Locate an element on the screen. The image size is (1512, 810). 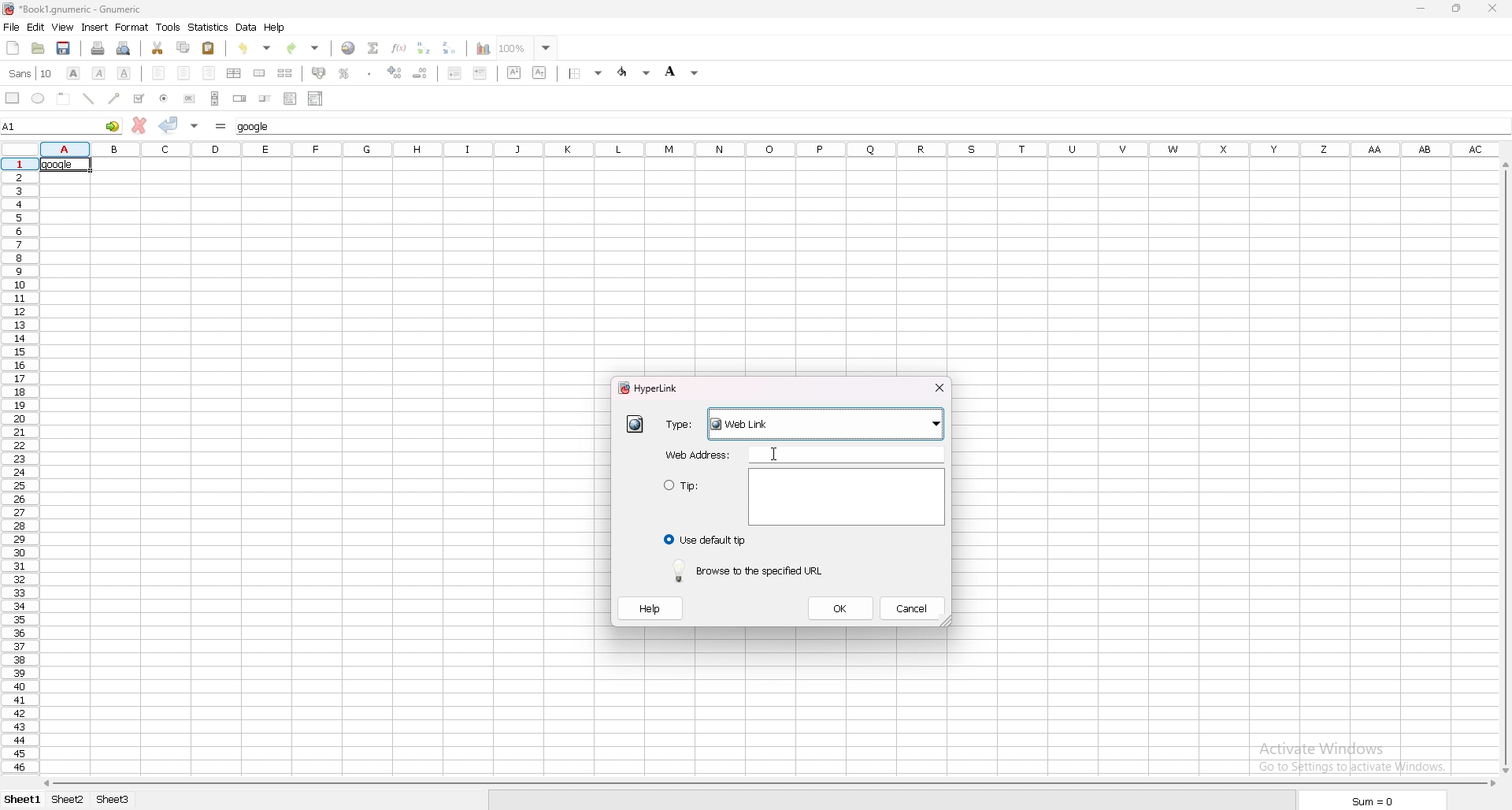
tip is located at coordinates (703, 496).